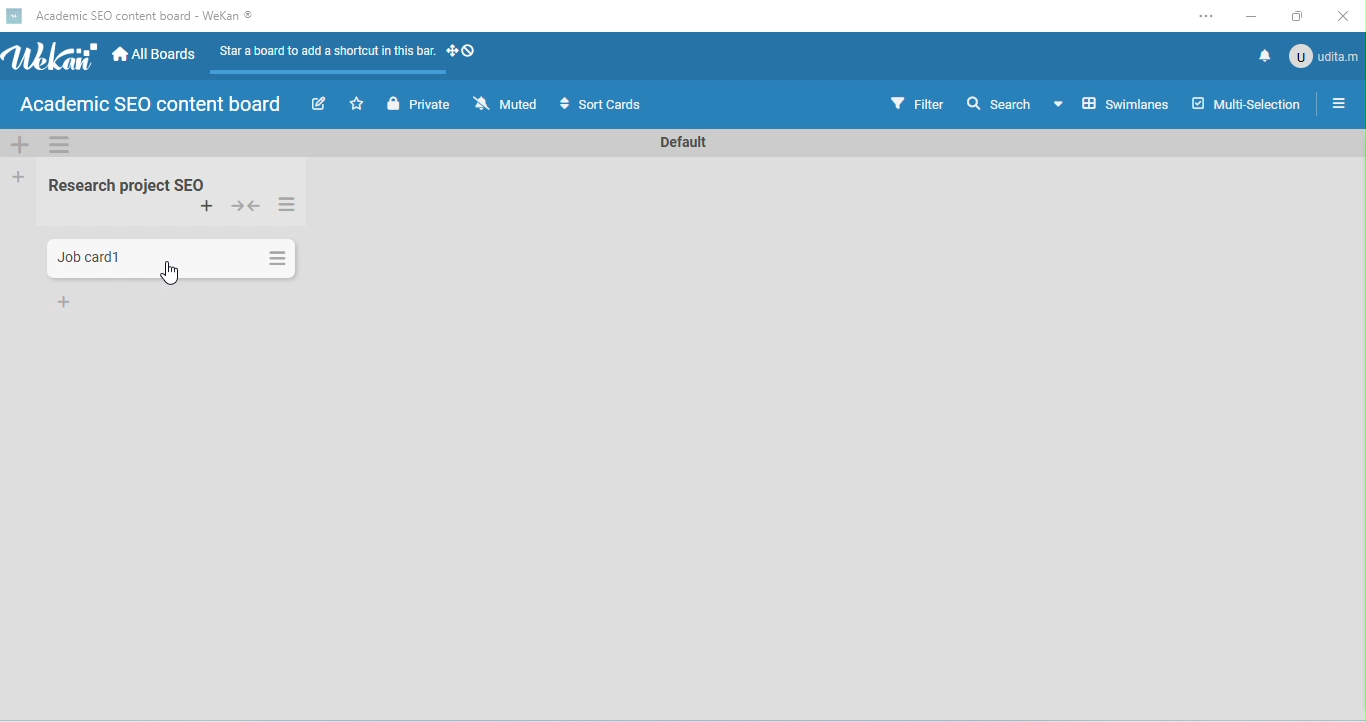 The height and width of the screenshot is (722, 1366). I want to click on board name: Academic SEO content board, so click(147, 106).